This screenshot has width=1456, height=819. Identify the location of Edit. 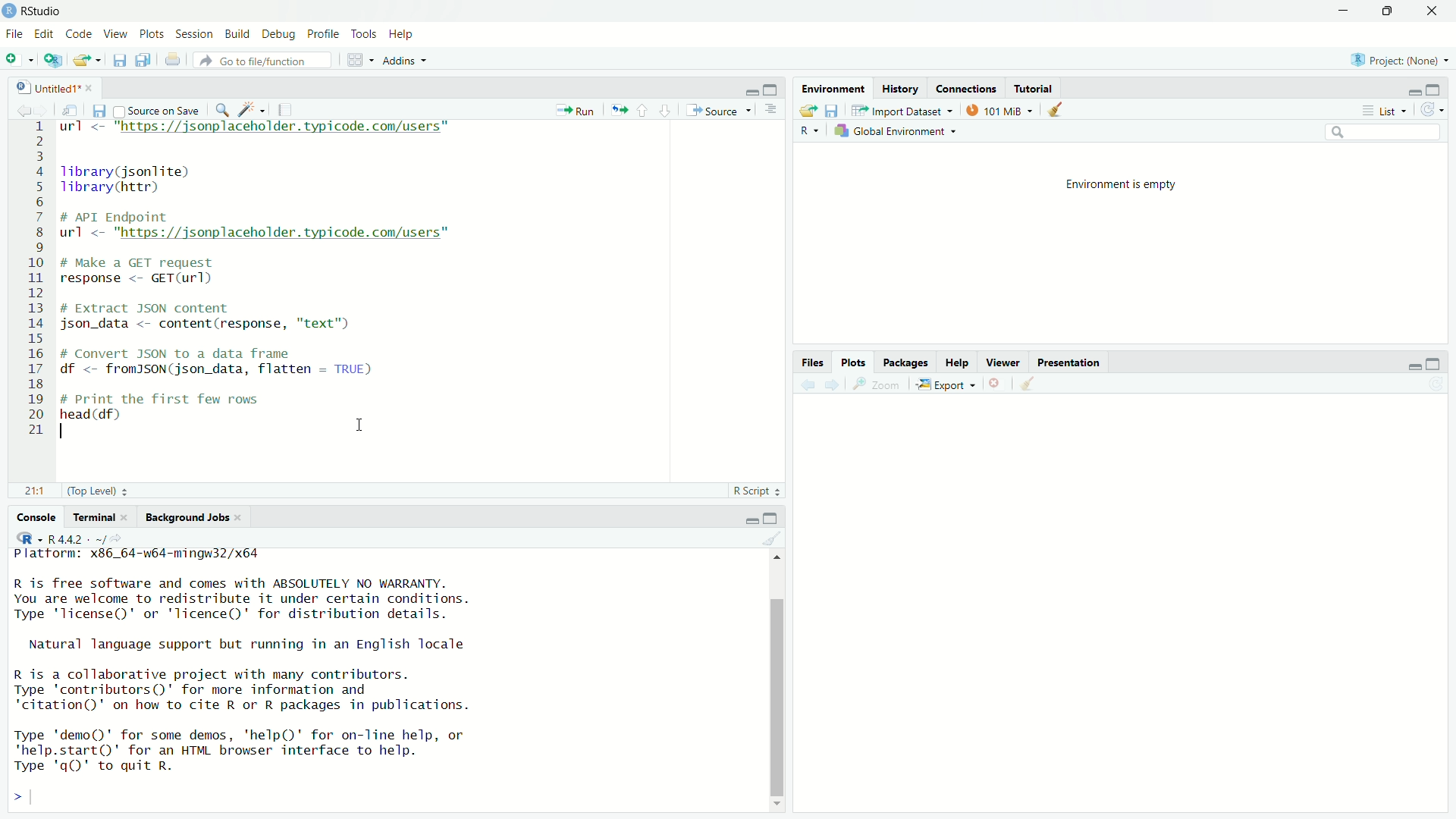
(43, 35).